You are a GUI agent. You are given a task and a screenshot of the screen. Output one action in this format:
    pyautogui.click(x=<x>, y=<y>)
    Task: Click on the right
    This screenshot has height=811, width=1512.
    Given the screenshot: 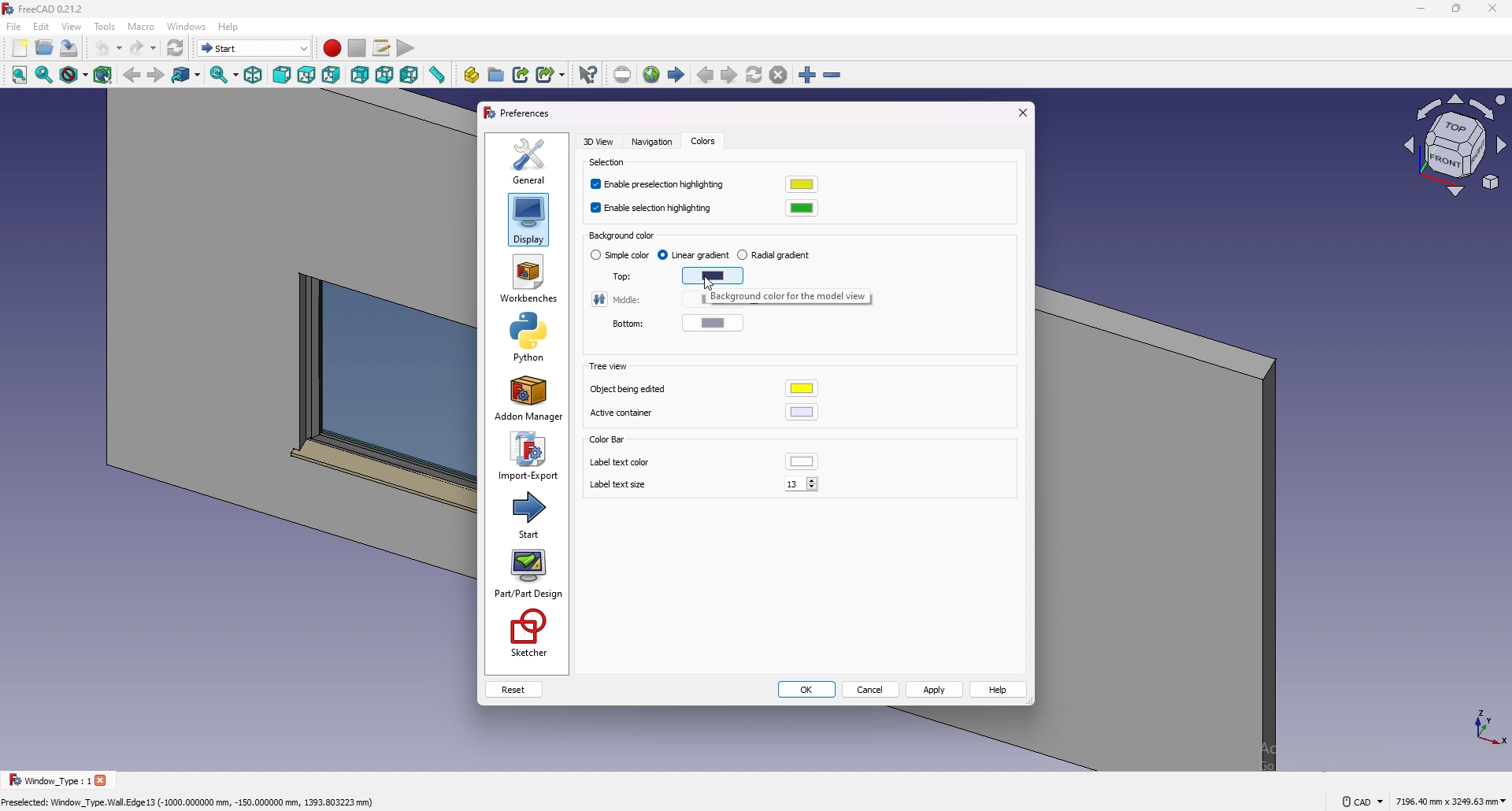 What is the action you would take?
    pyautogui.click(x=332, y=75)
    